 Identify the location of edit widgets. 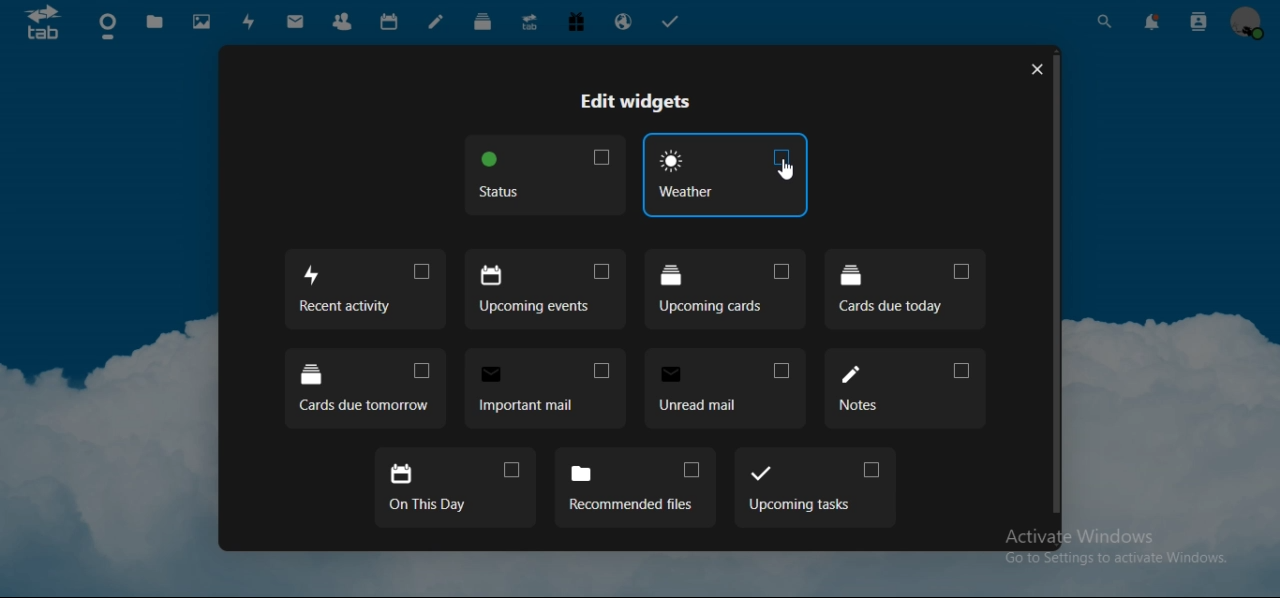
(638, 102).